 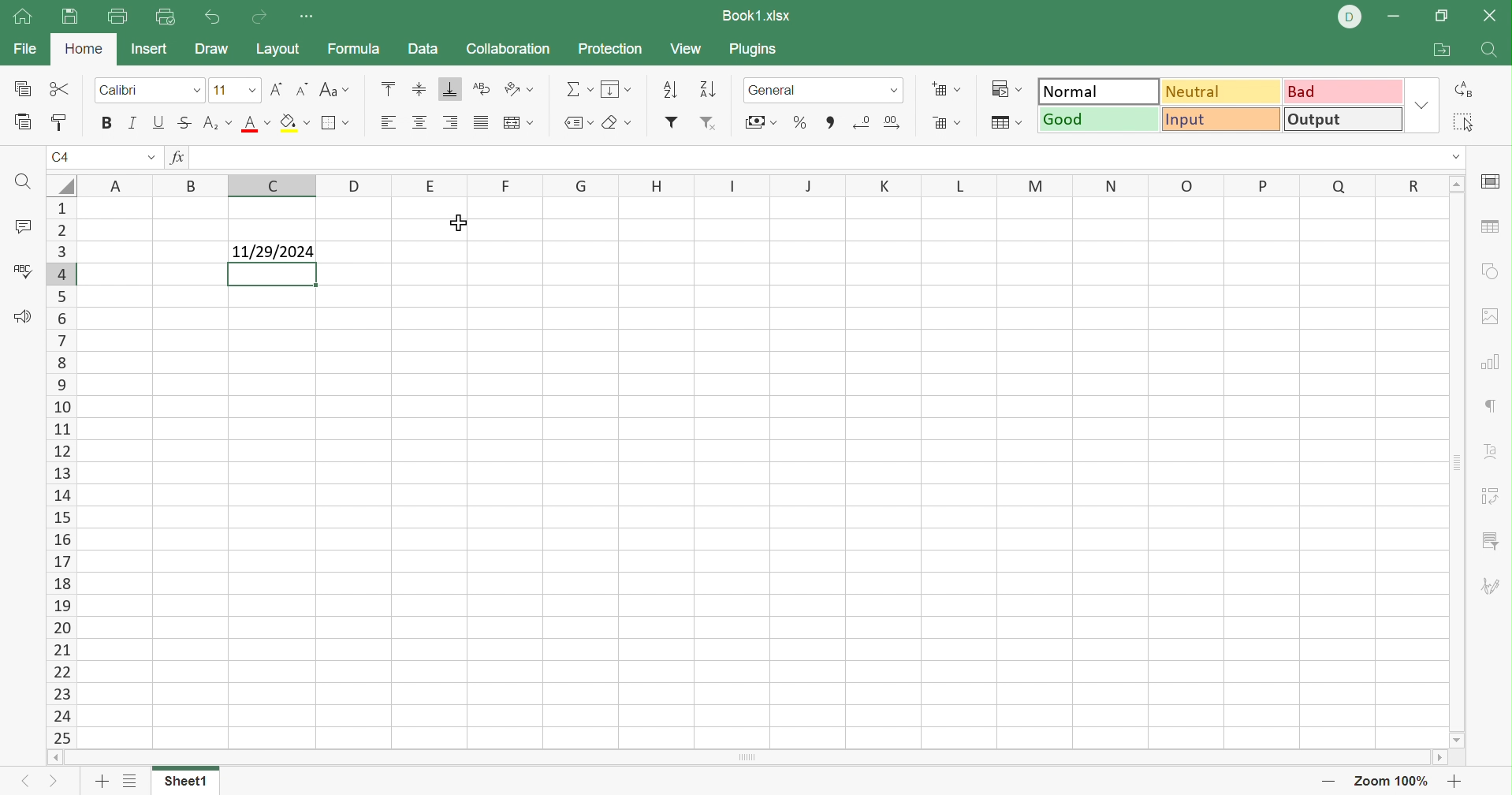 I want to click on Bold, so click(x=105, y=124).